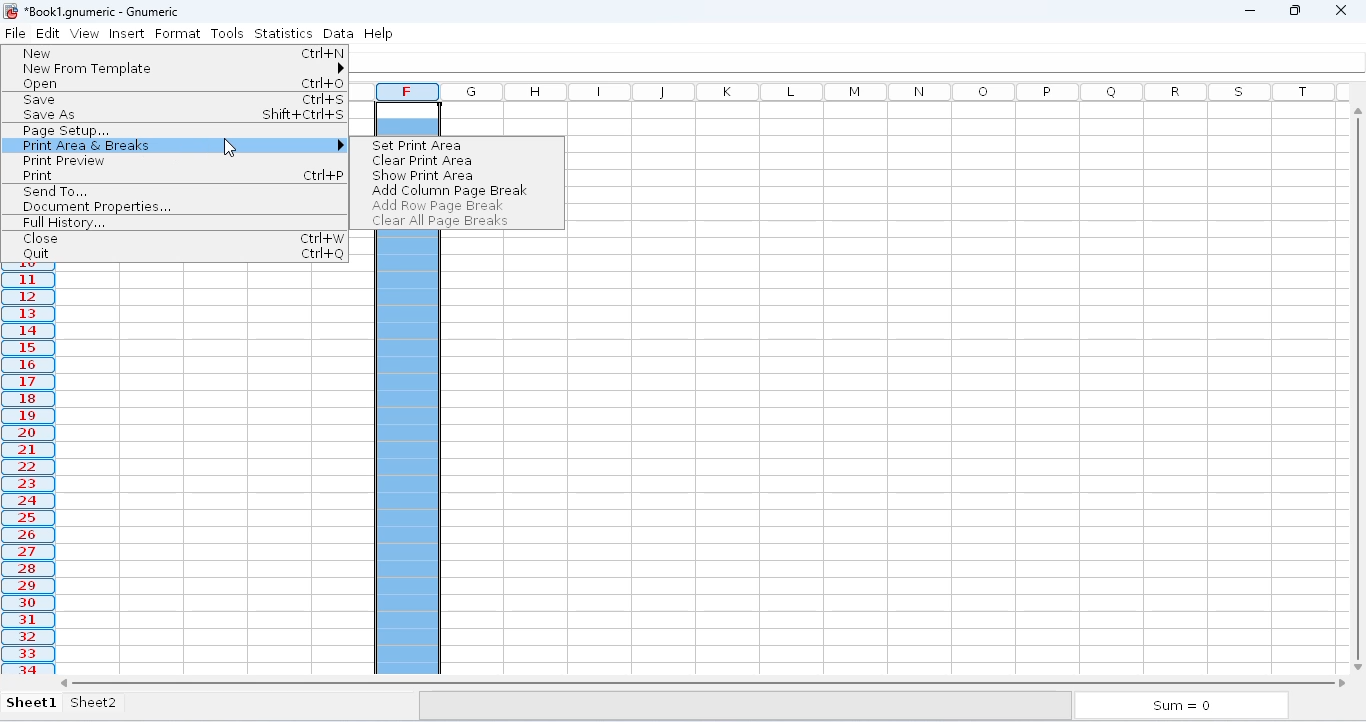 The image size is (1366, 722). Describe the element at coordinates (35, 254) in the screenshot. I see `quit` at that location.